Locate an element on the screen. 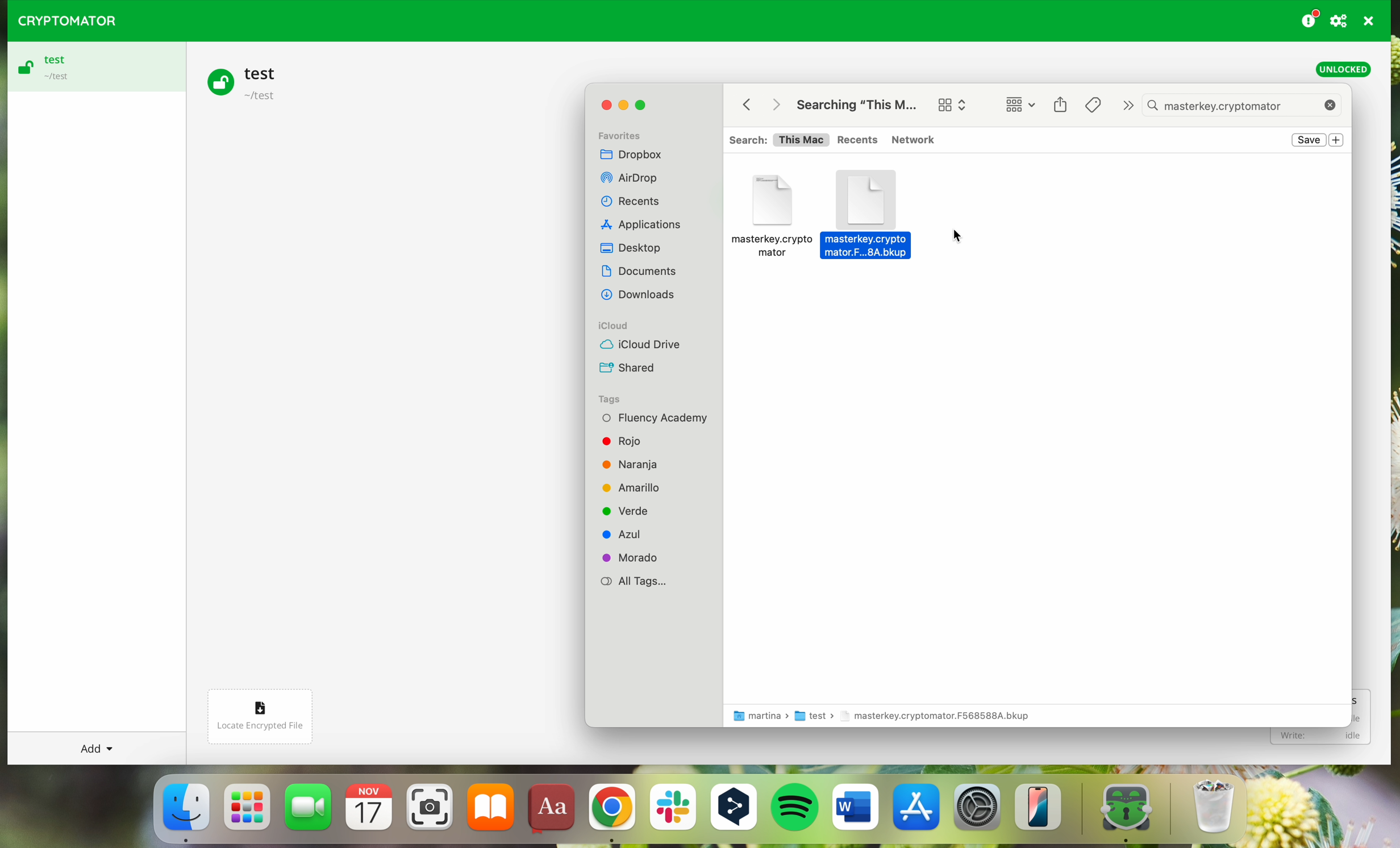 The height and width of the screenshot is (848, 1400). launchpad is located at coordinates (248, 814).